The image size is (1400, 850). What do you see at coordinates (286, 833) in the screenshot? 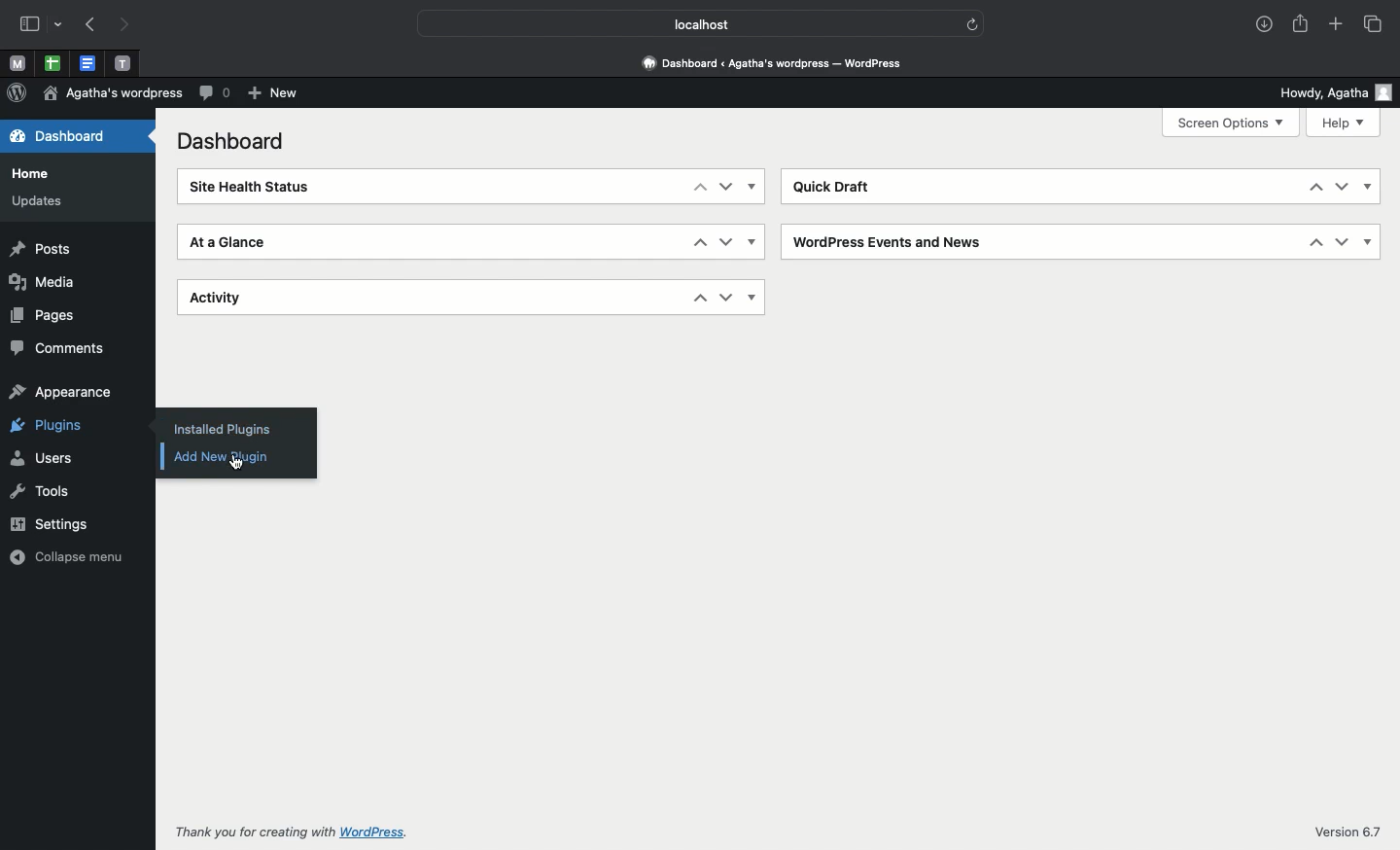
I see `Thank you for creating with wordpress` at bounding box center [286, 833].